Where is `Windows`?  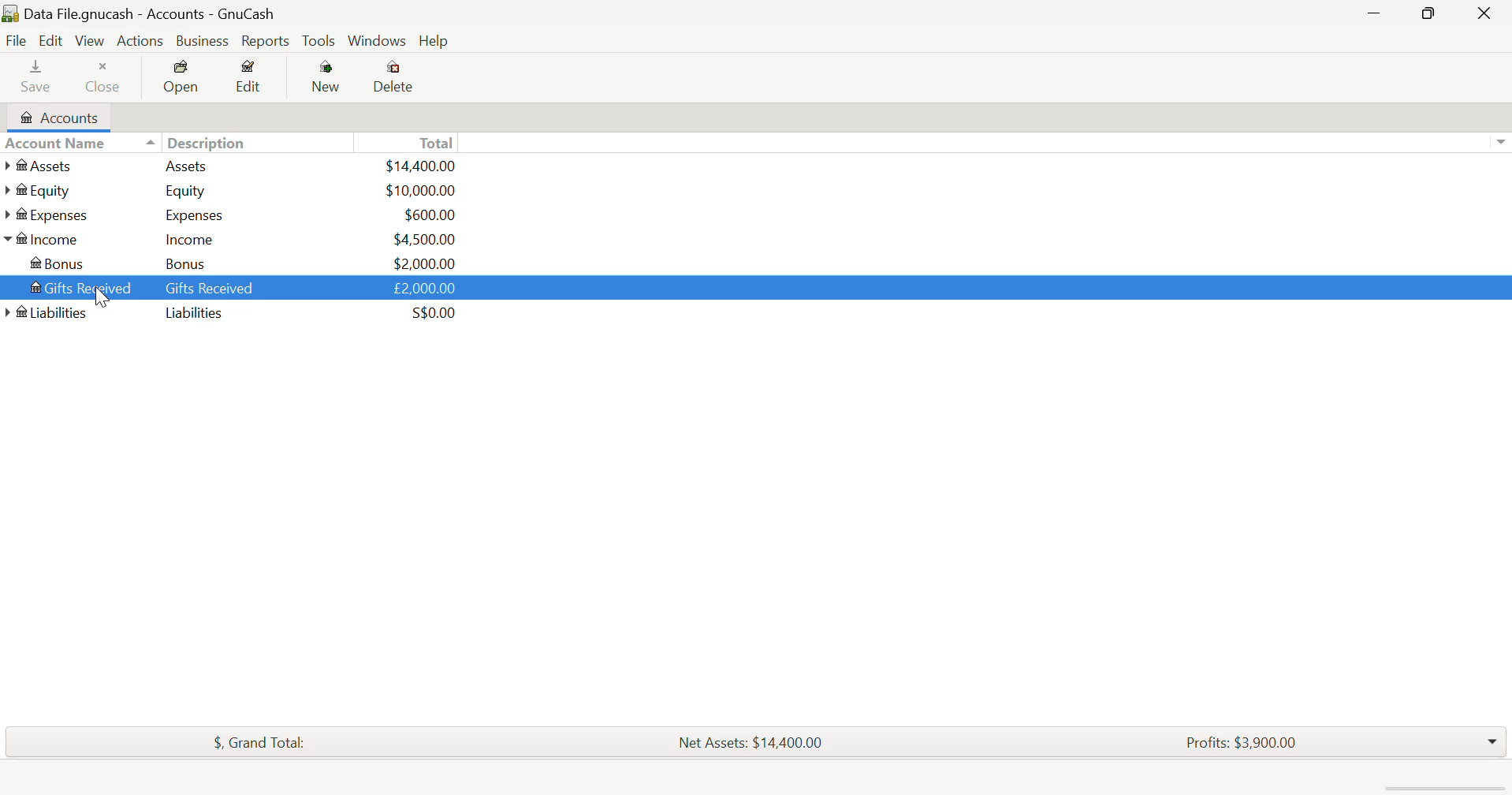
Windows is located at coordinates (377, 41).